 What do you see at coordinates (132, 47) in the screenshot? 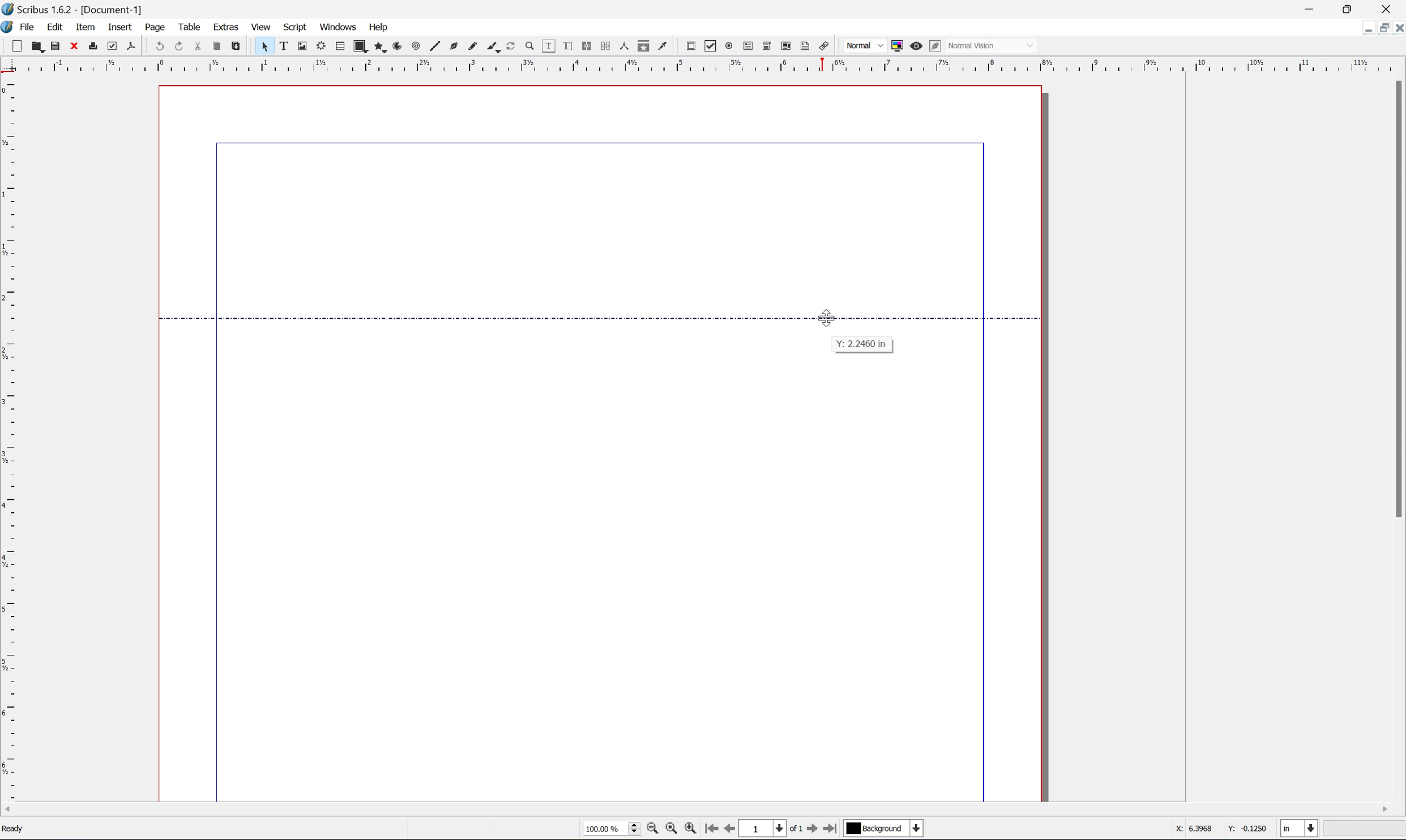
I see `save as pdf` at bounding box center [132, 47].